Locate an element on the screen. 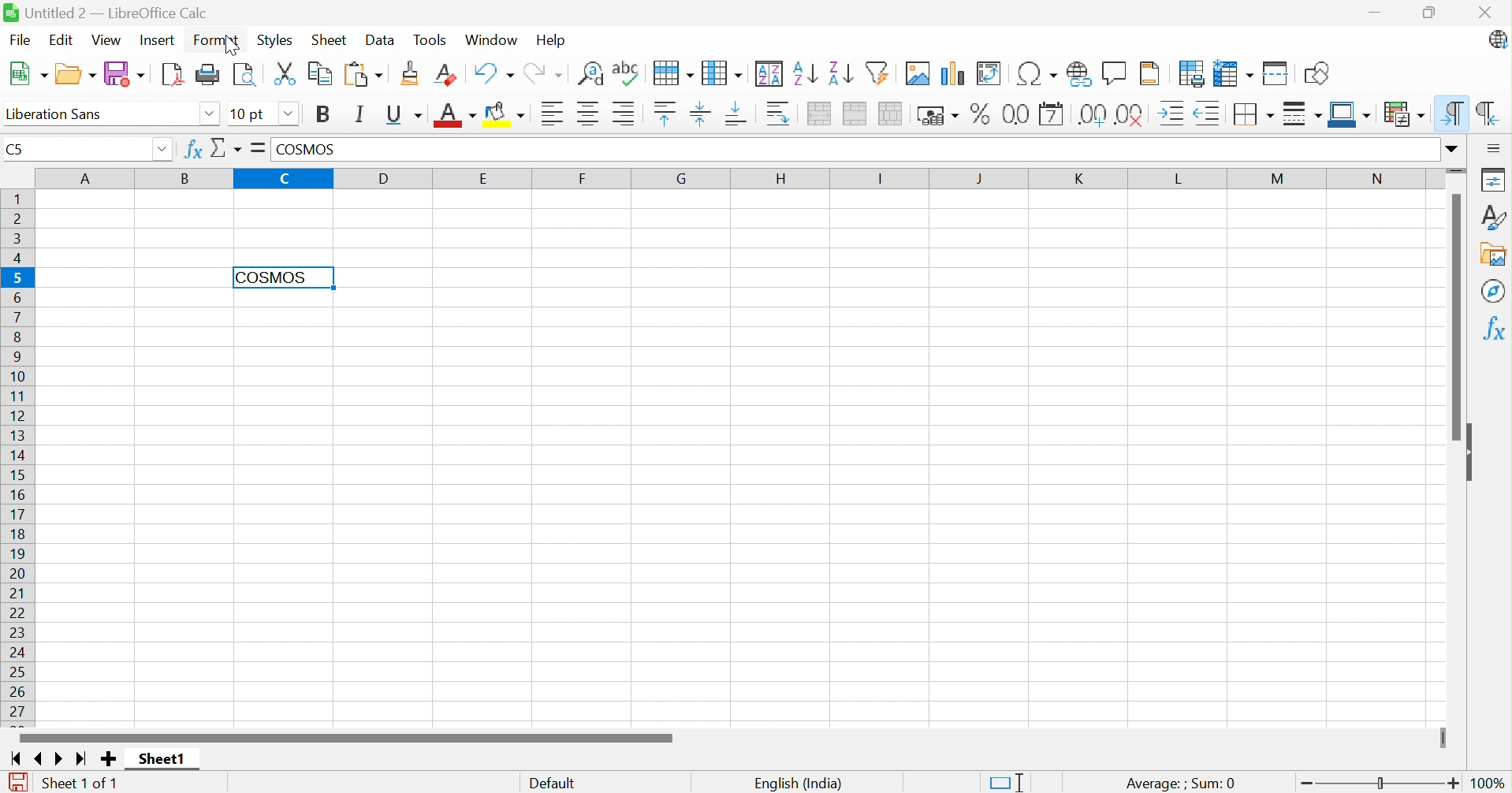 The height and width of the screenshot is (793, 1512). Sheet1 is located at coordinates (161, 760).